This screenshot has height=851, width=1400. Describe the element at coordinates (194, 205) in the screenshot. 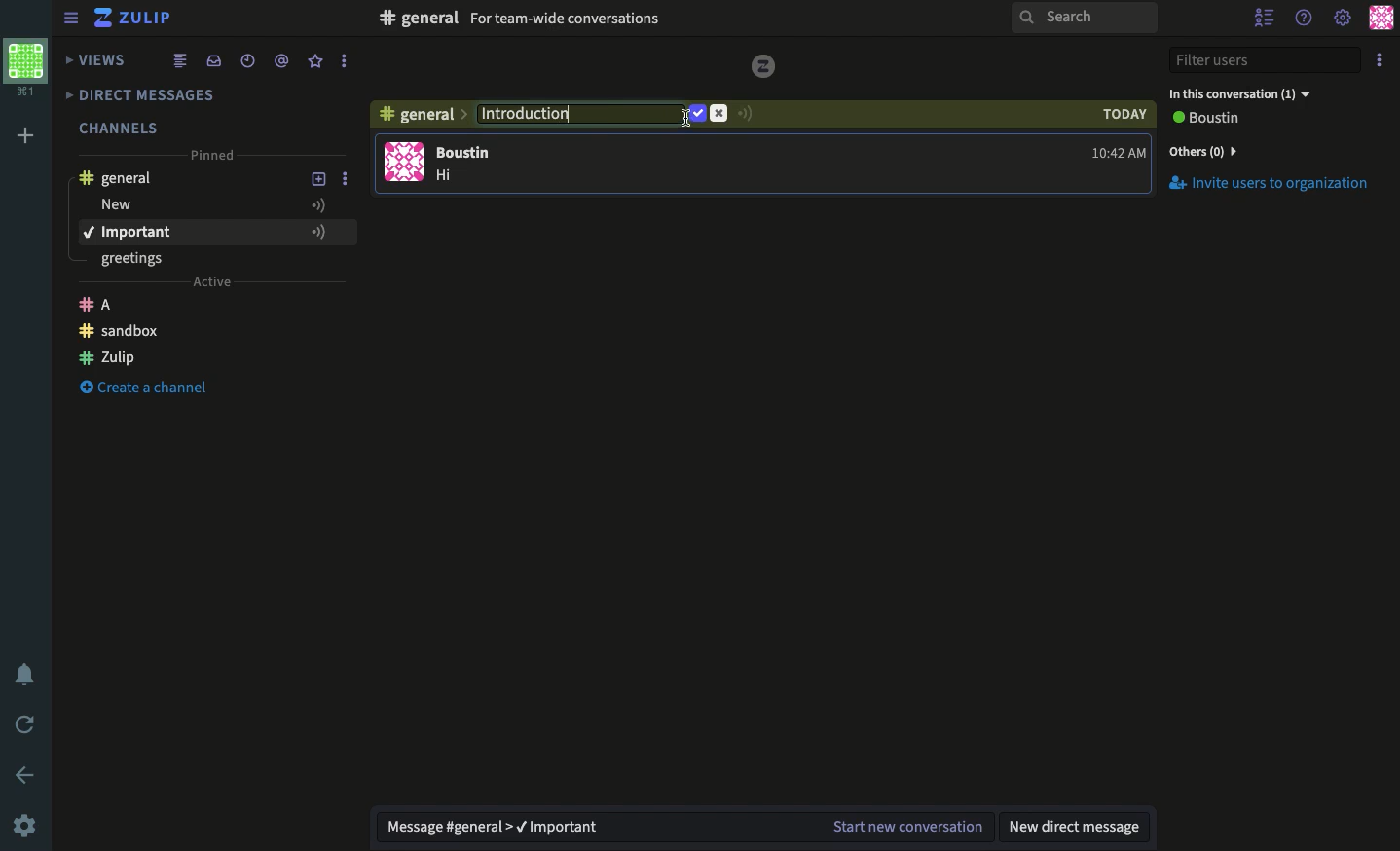

I see `New - topic` at that location.